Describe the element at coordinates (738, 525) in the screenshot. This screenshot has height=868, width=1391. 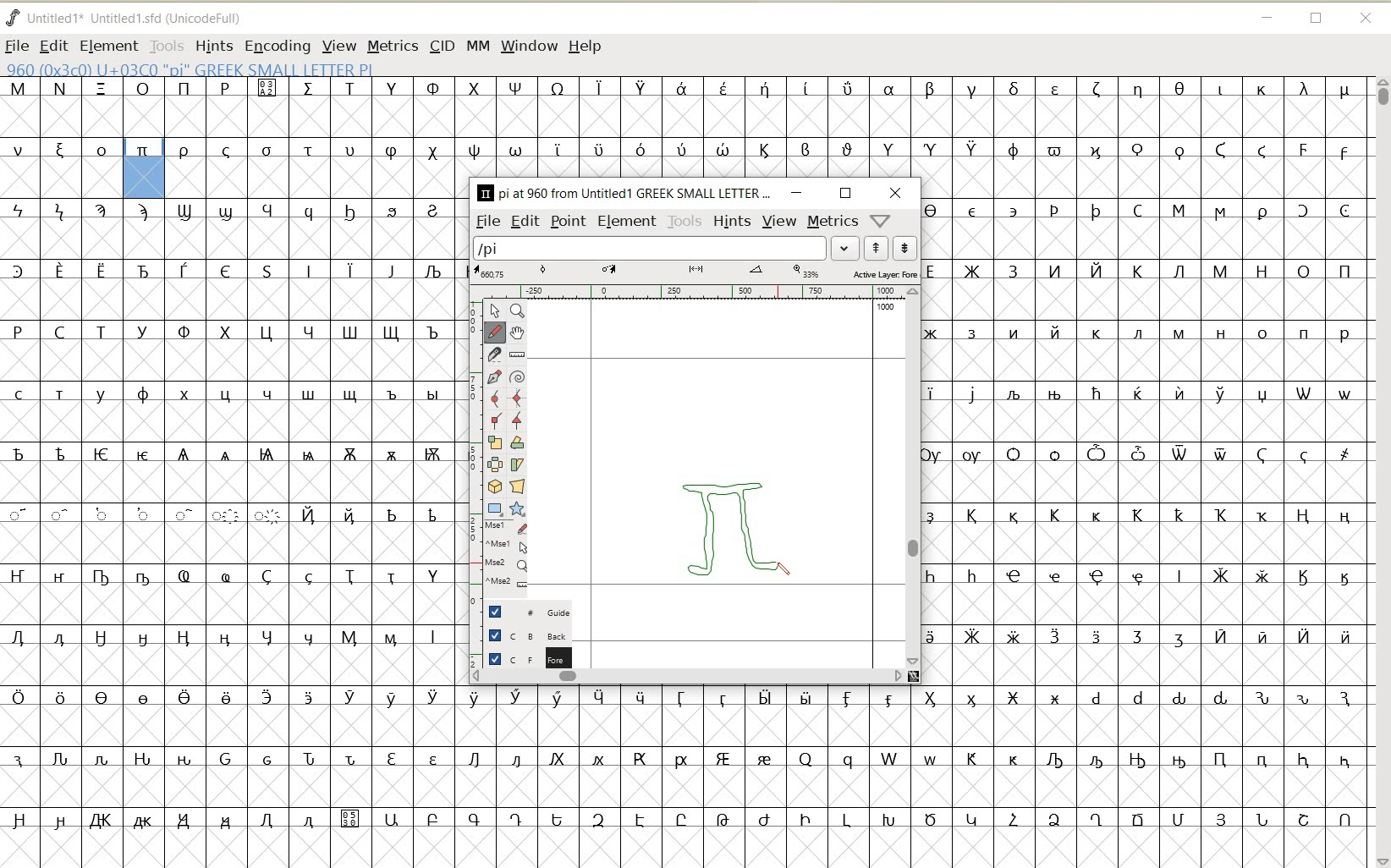
I see `a pi symbol (π) creation` at that location.